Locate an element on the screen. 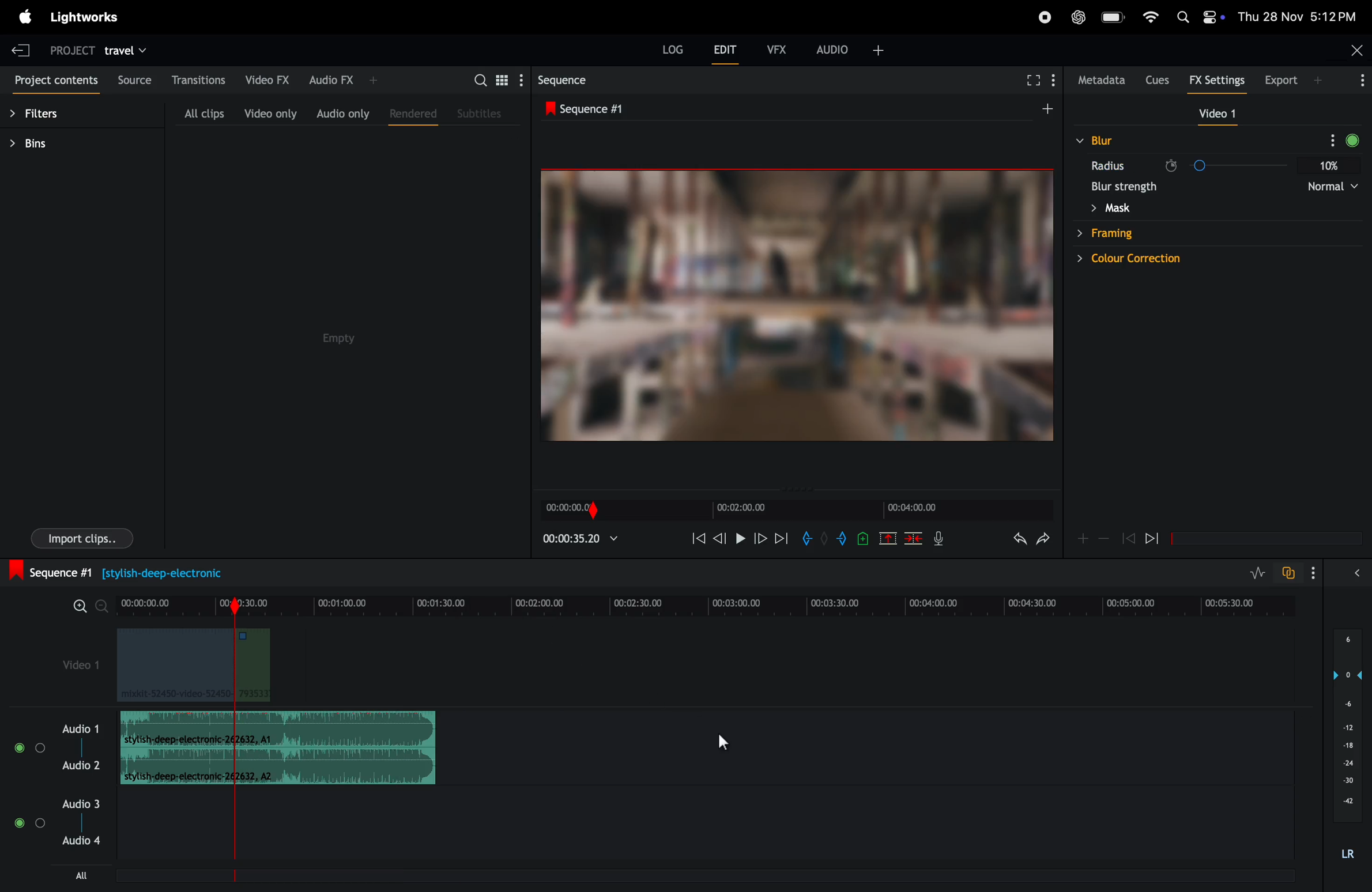  all clips is located at coordinates (203, 112).